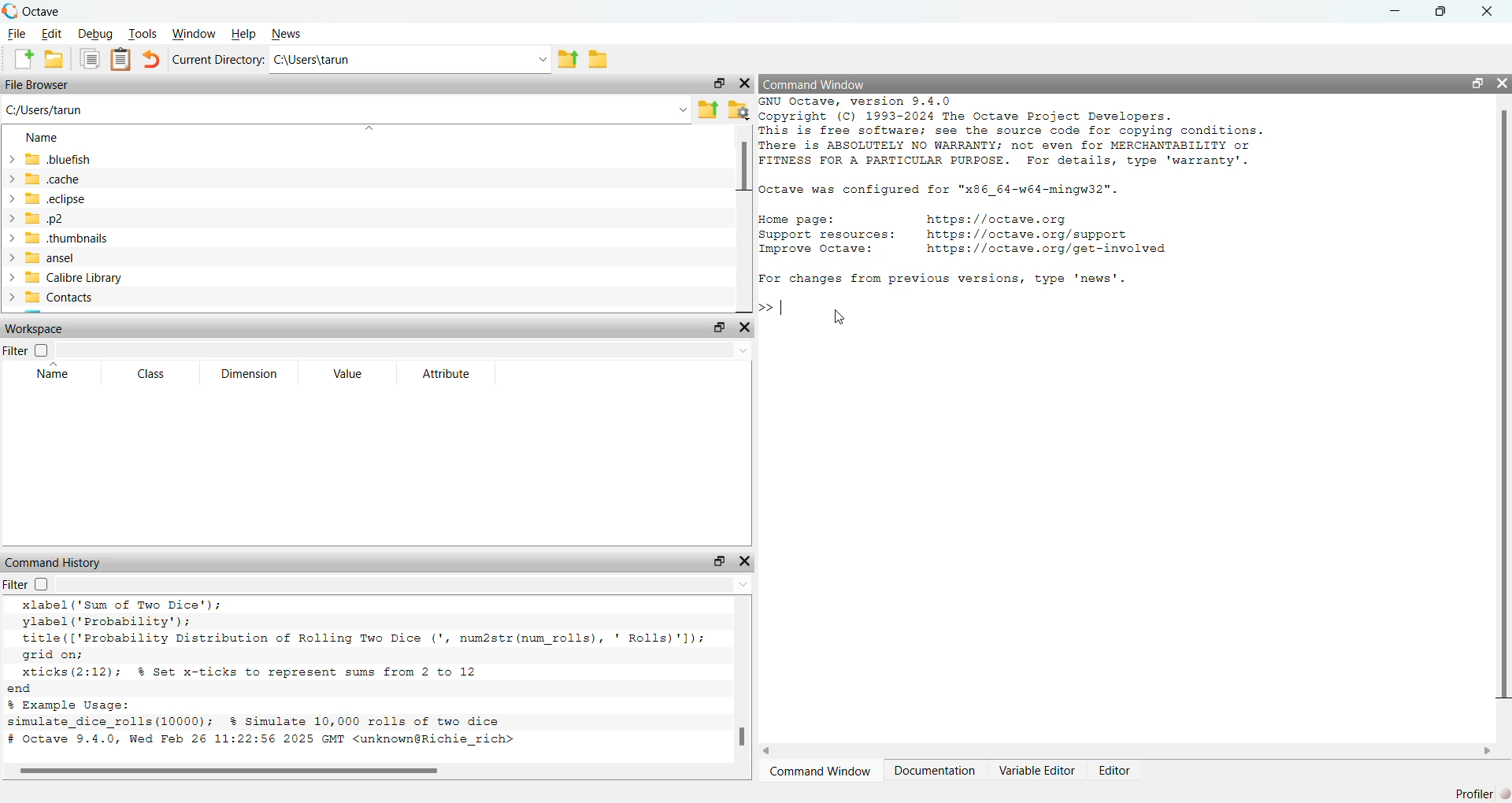 The image size is (1512, 803). What do you see at coordinates (243, 33) in the screenshot?
I see `Help` at bounding box center [243, 33].